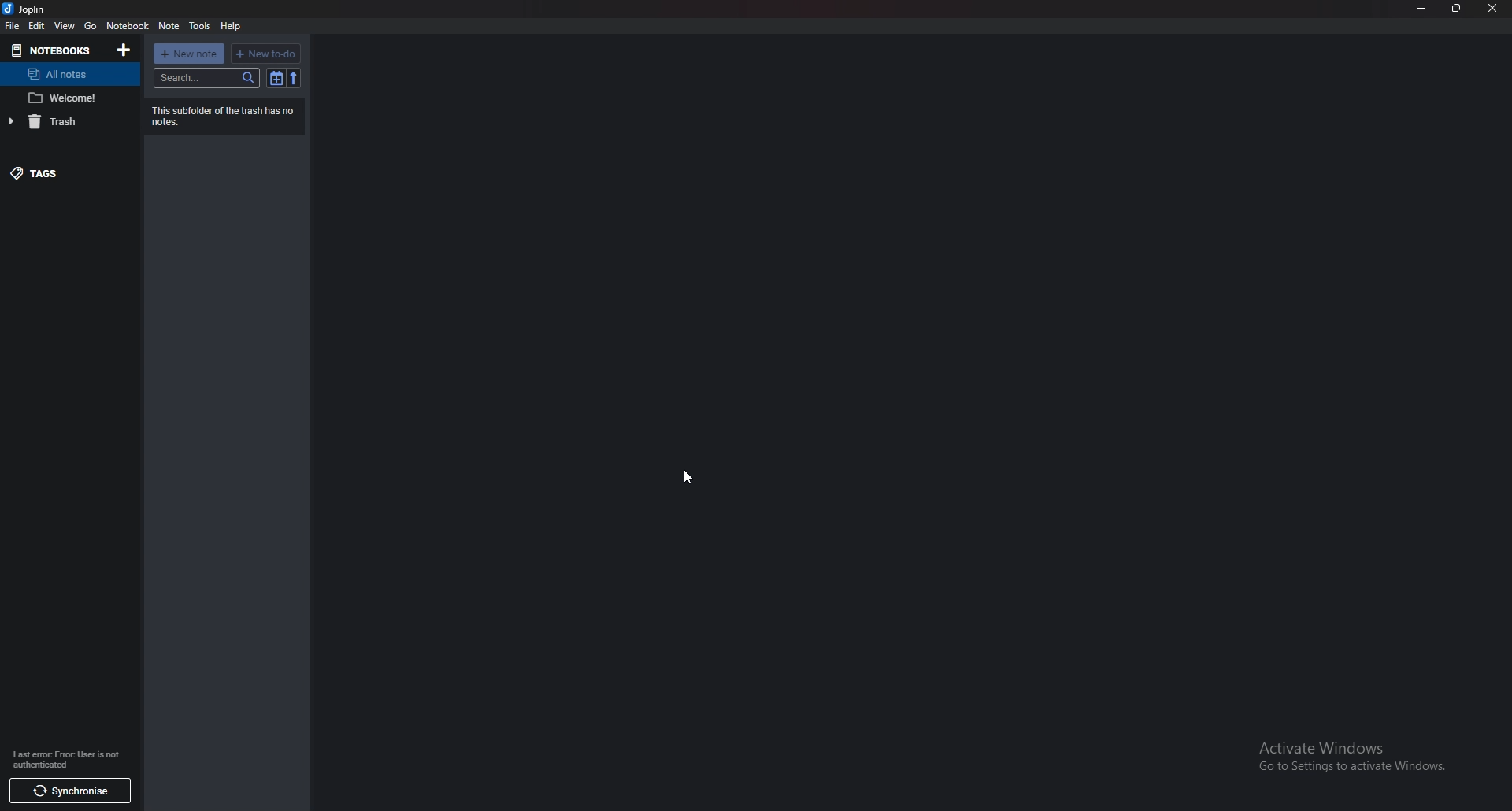 This screenshot has width=1512, height=811. I want to click on search, so click(207, 78).